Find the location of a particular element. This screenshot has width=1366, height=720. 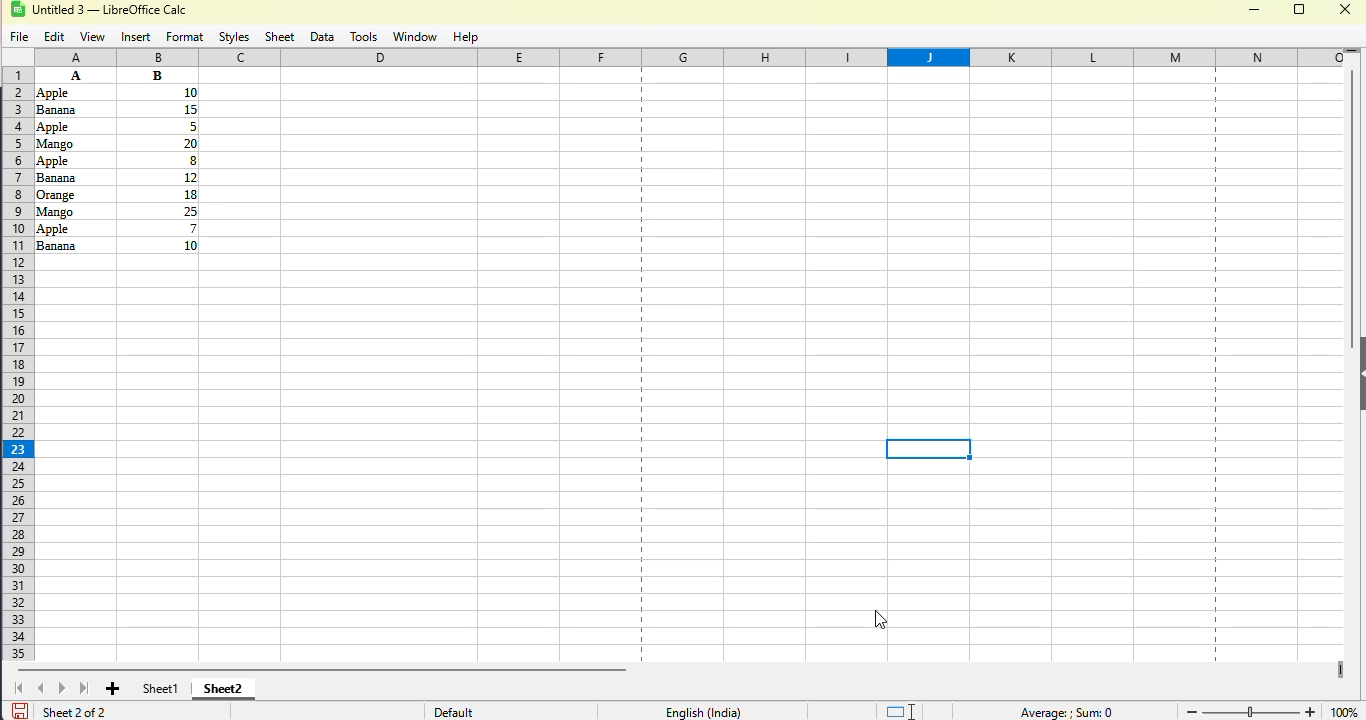

rows is located at coordinates (14, 364).